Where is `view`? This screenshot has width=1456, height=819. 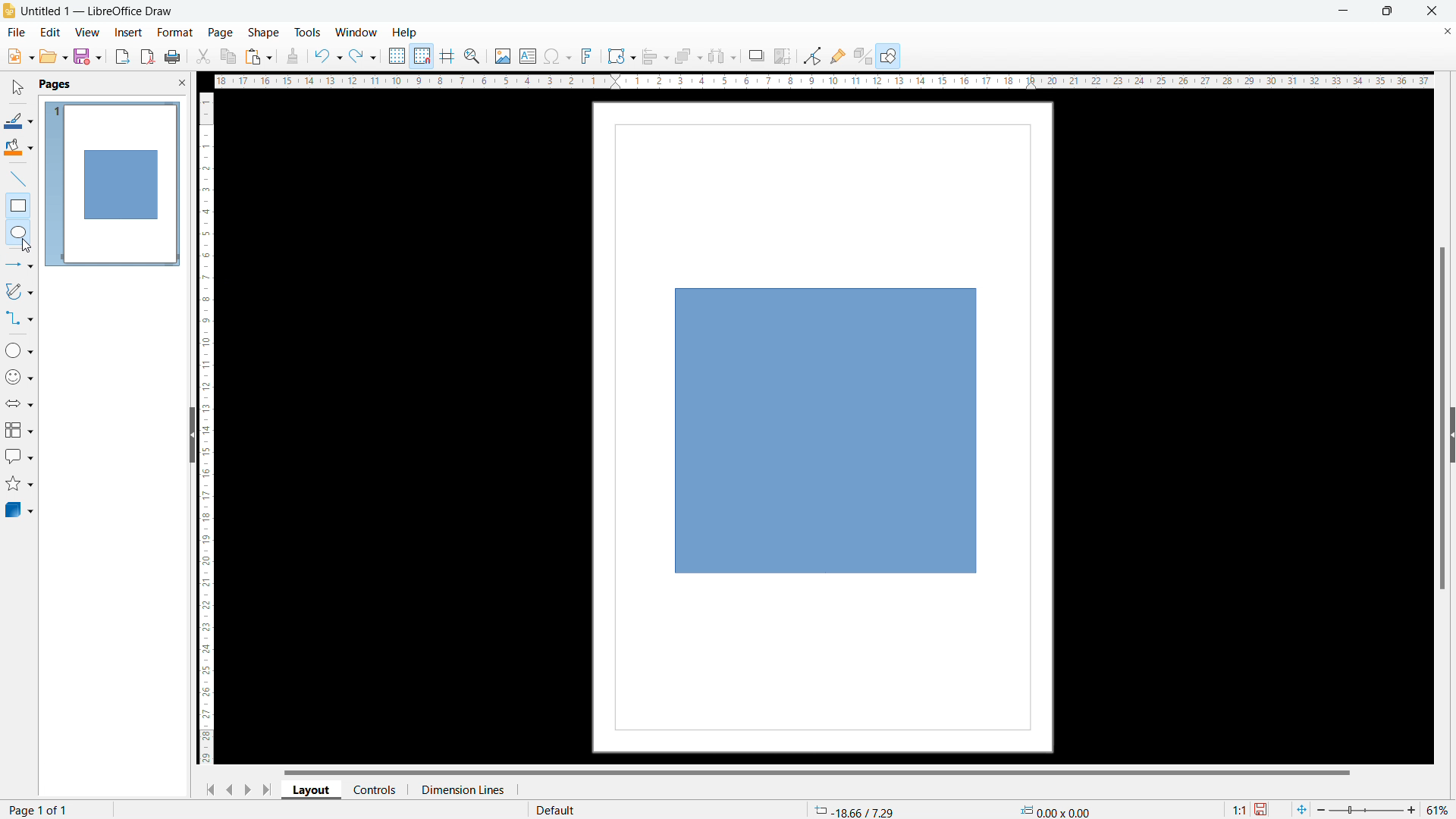 view is located at coordinates (87, 33).